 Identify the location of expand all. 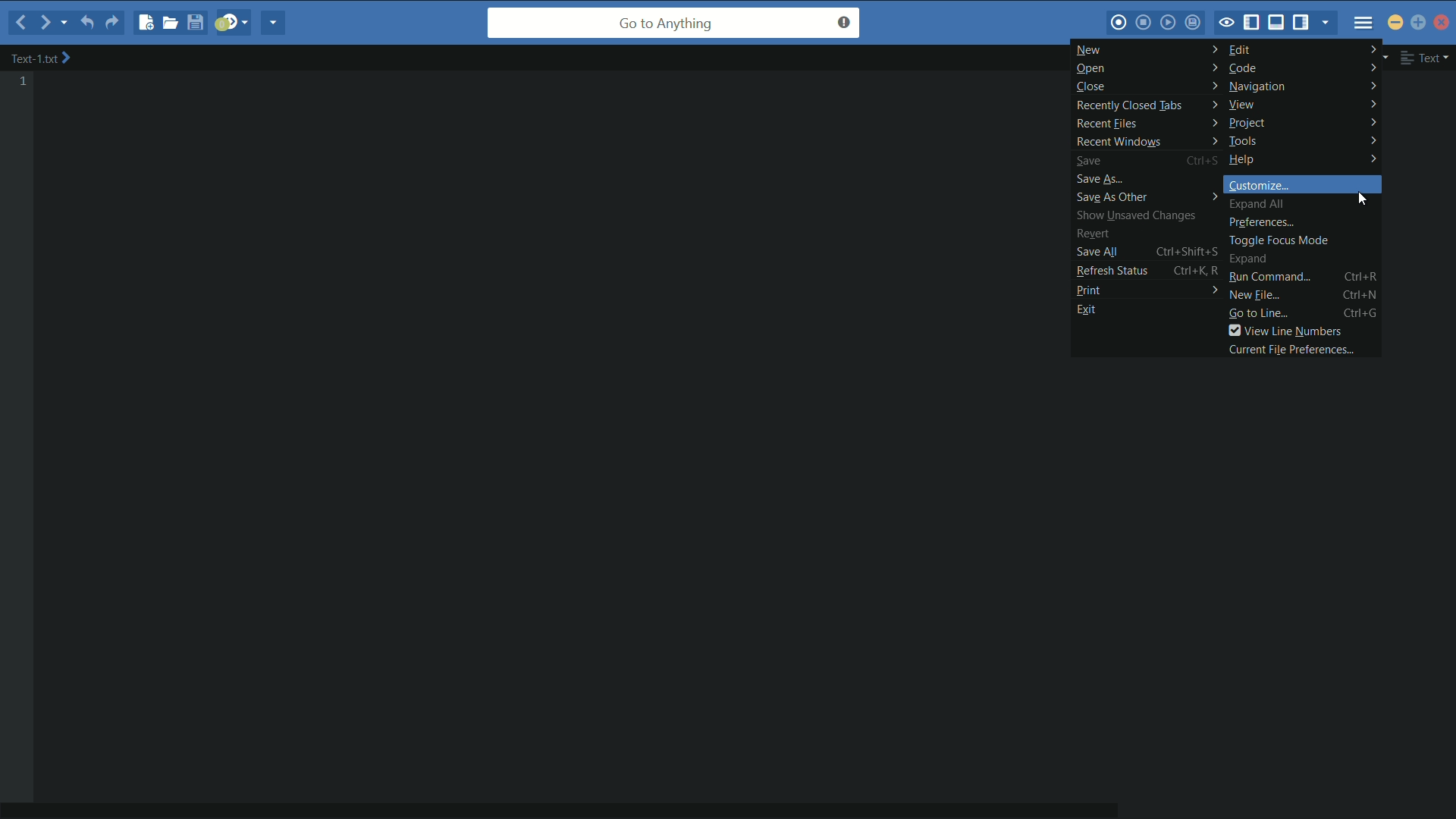
(1257, 203).